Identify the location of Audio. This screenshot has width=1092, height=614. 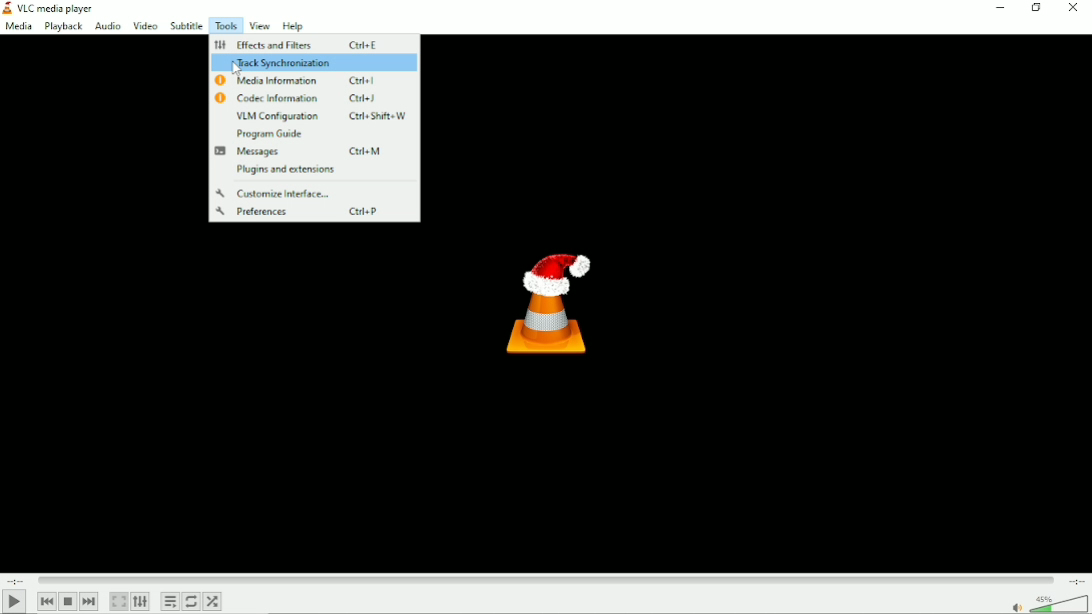
(108, 27).